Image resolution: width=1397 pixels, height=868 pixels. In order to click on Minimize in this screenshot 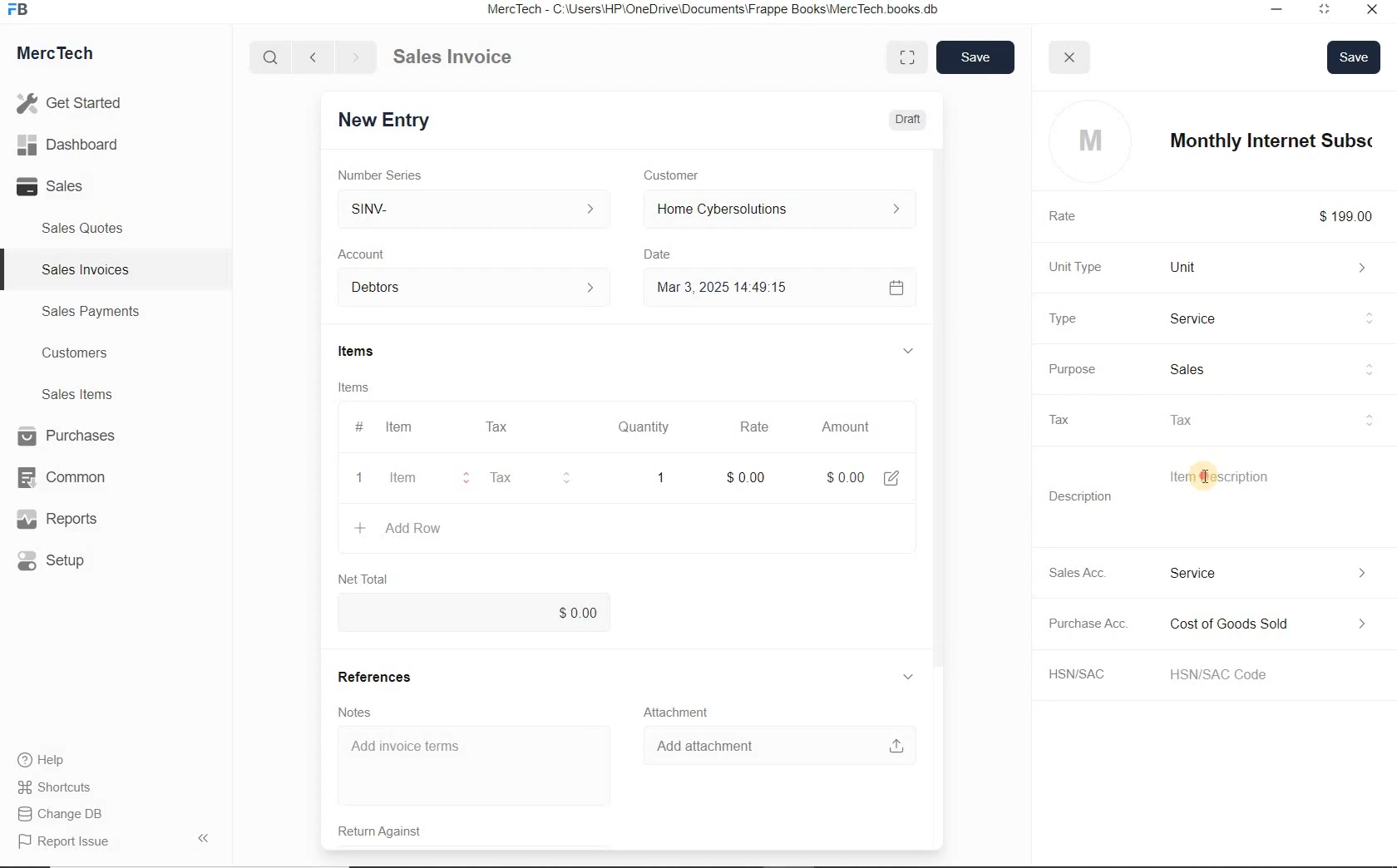, I will do `click(1261, 12)`.